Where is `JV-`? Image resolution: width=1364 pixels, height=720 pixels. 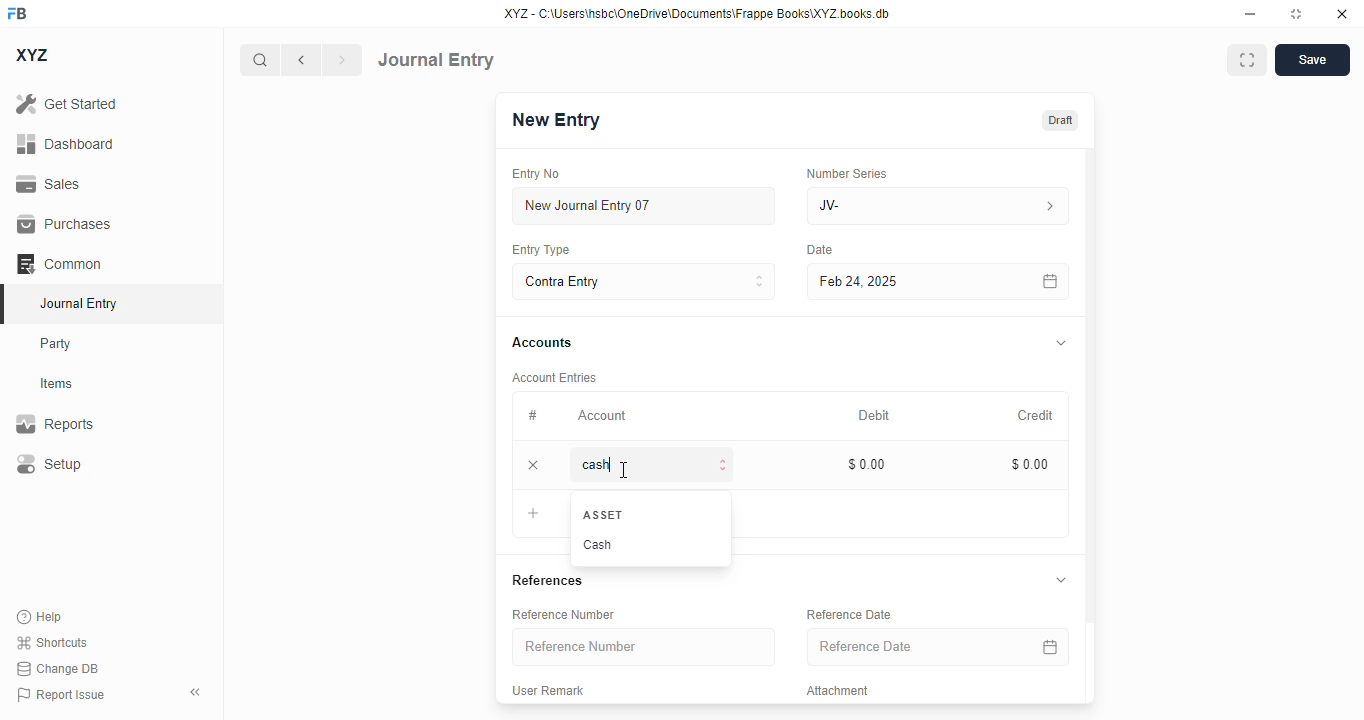
JV- is located at coordinates (938, 206).